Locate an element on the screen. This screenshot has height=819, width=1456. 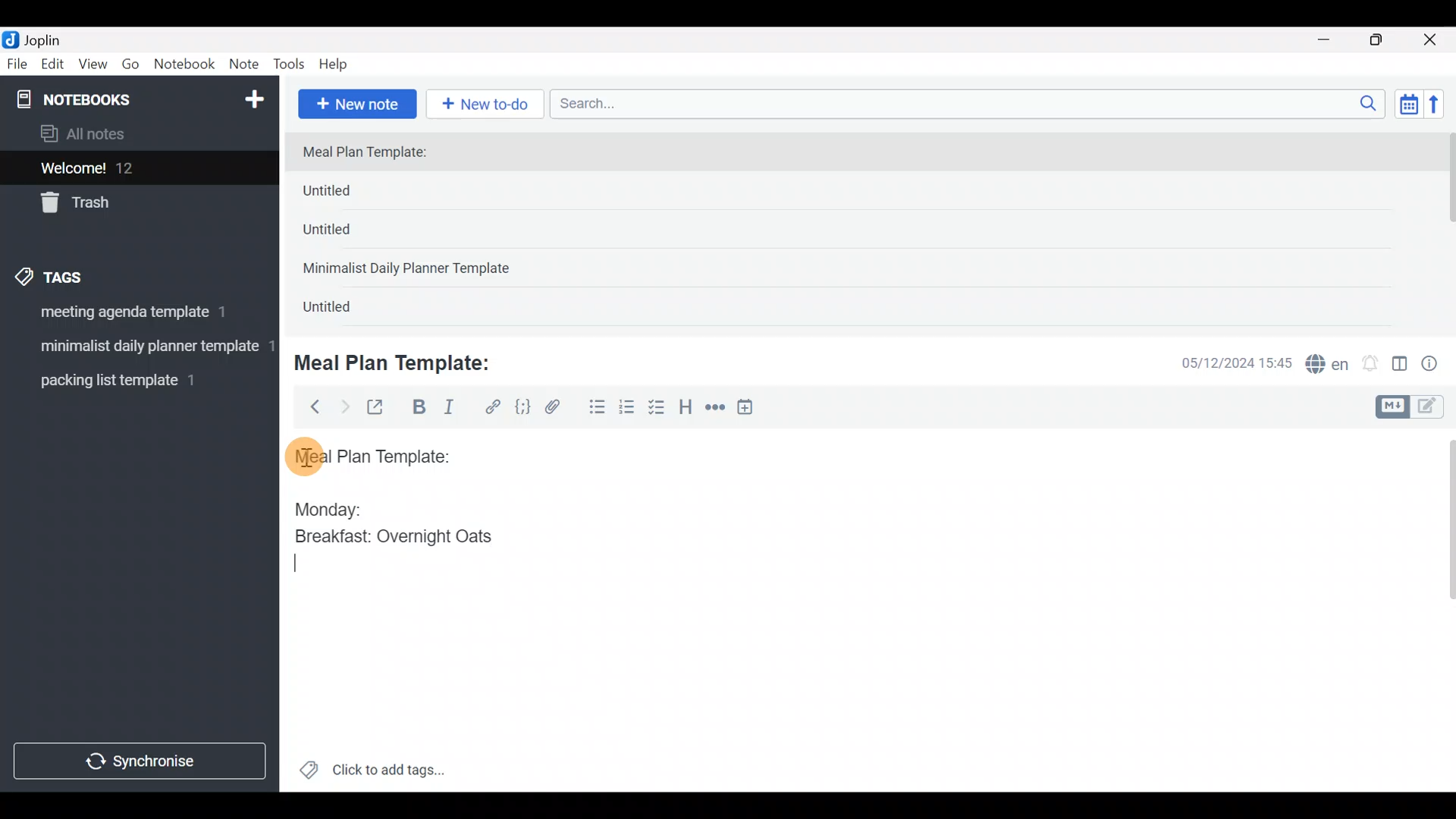
Bold is located at coordinates (418, 409).